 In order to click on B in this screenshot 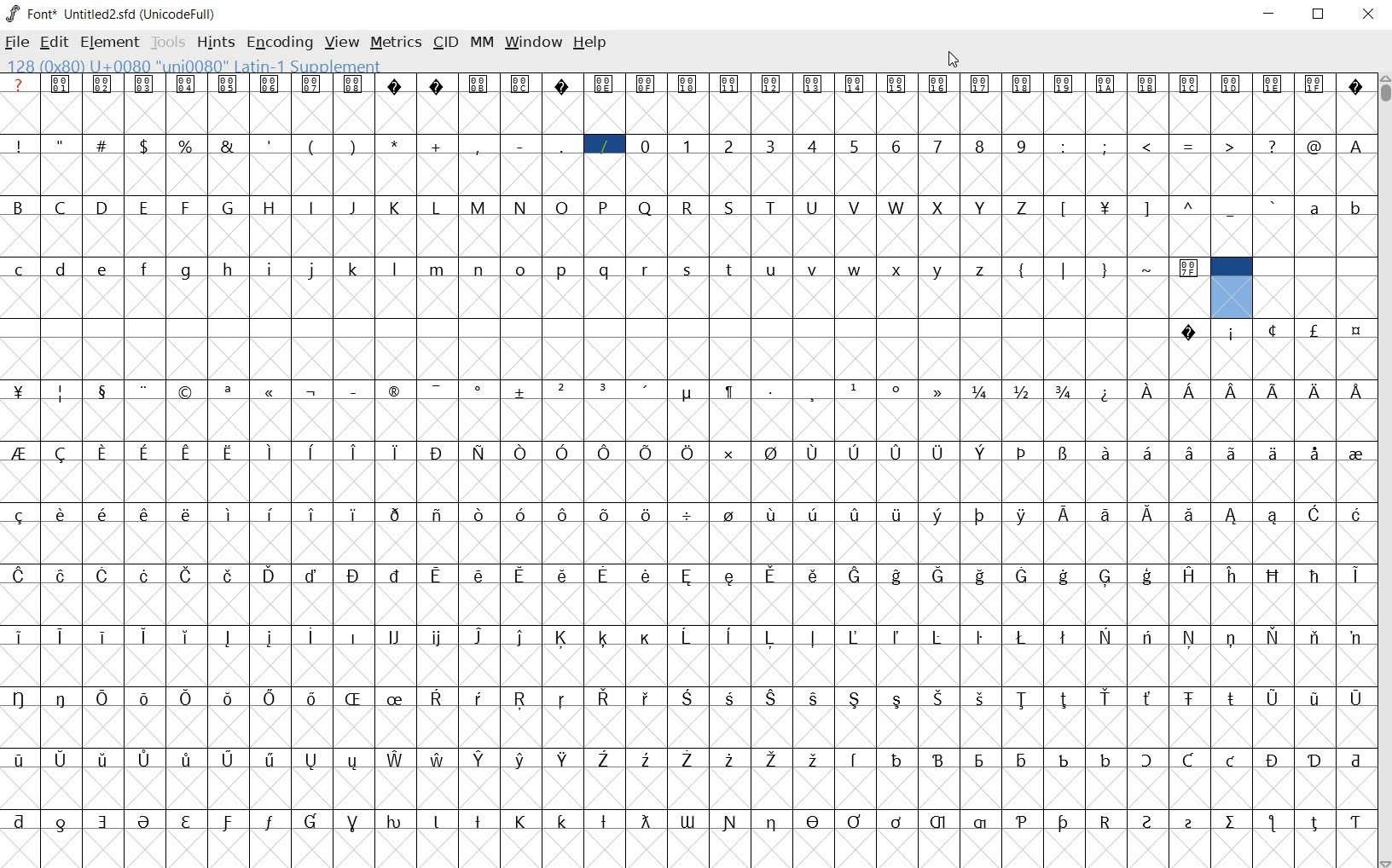, I will do `click(20, 205)`.